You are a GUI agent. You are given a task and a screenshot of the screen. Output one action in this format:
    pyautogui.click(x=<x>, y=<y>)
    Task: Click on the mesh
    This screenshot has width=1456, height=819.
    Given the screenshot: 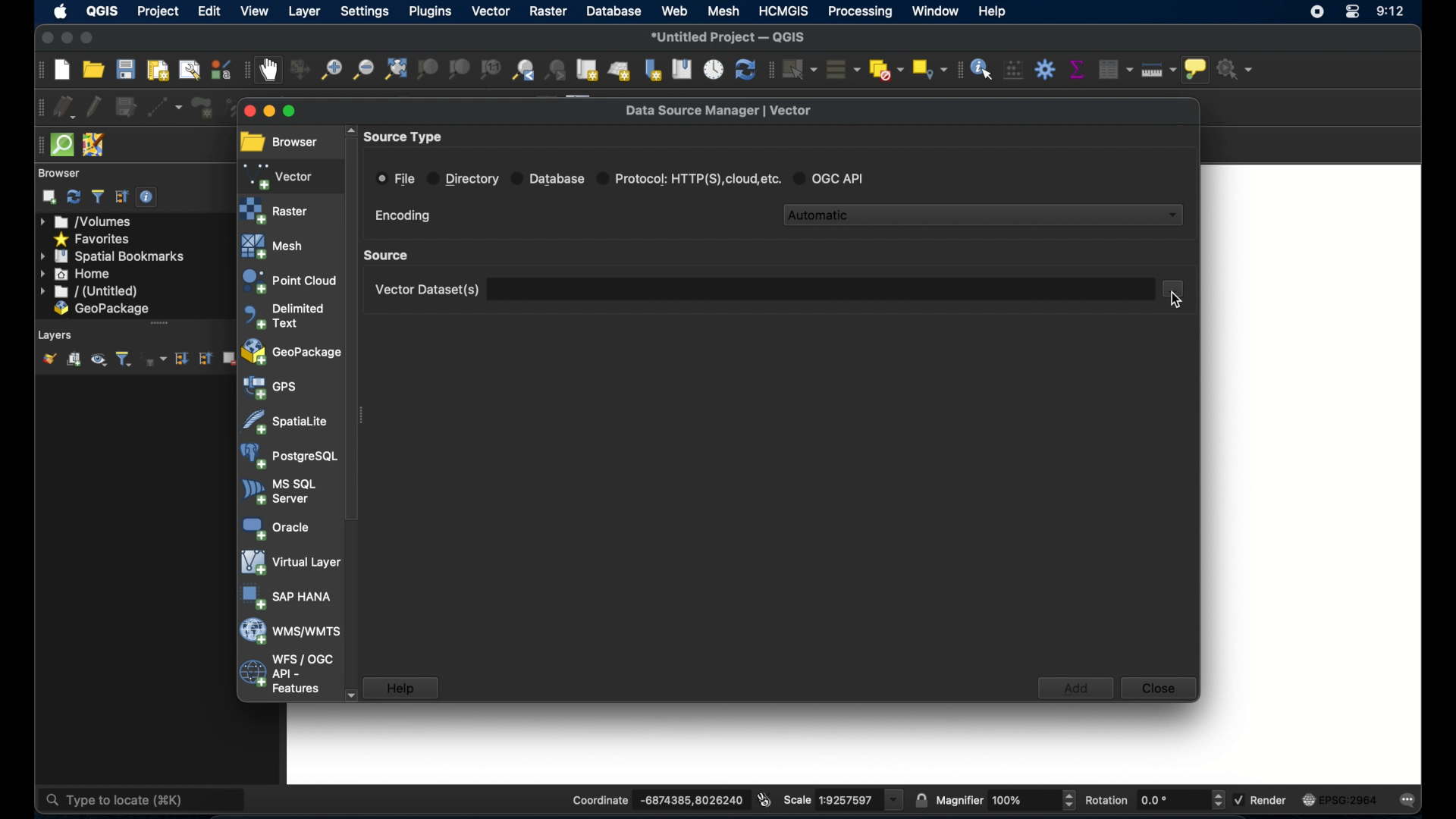 What is the action you would take?
    pyautogui.click(x=724, y=11)
    